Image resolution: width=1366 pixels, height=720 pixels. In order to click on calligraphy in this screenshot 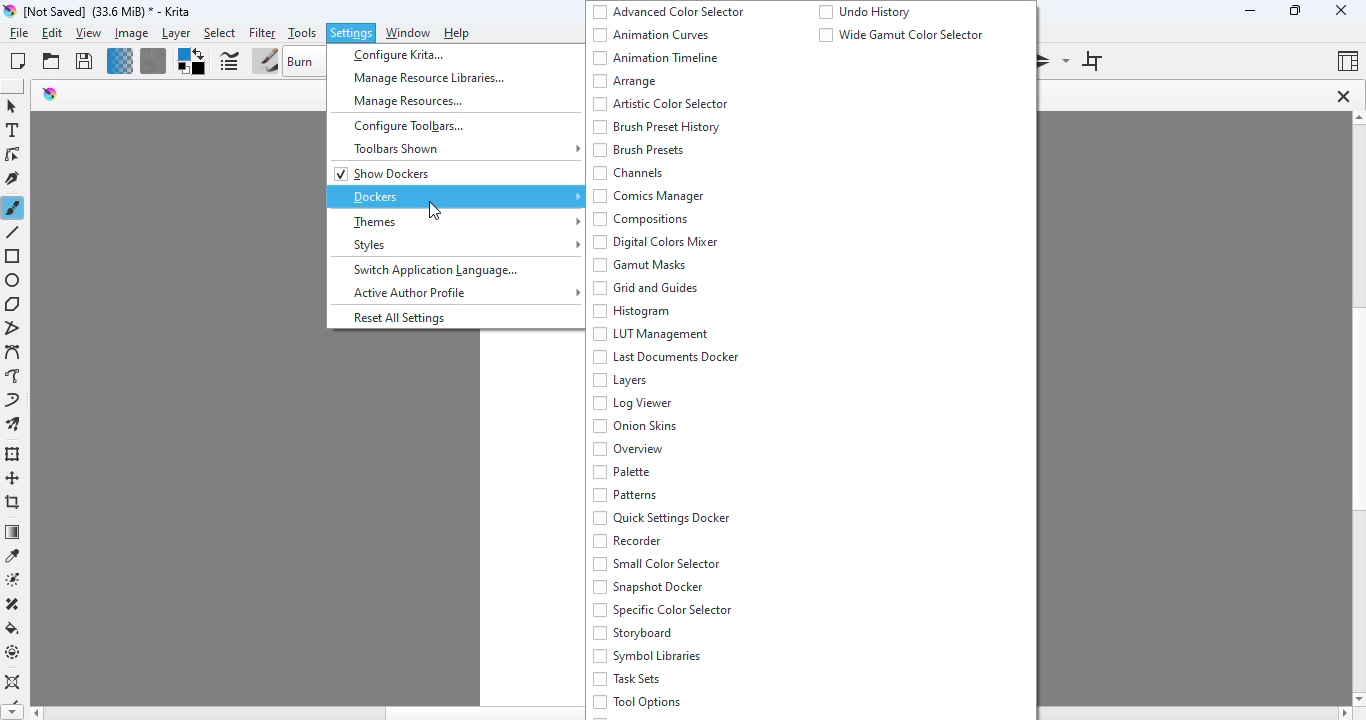, I will do `click(13, 178)`.